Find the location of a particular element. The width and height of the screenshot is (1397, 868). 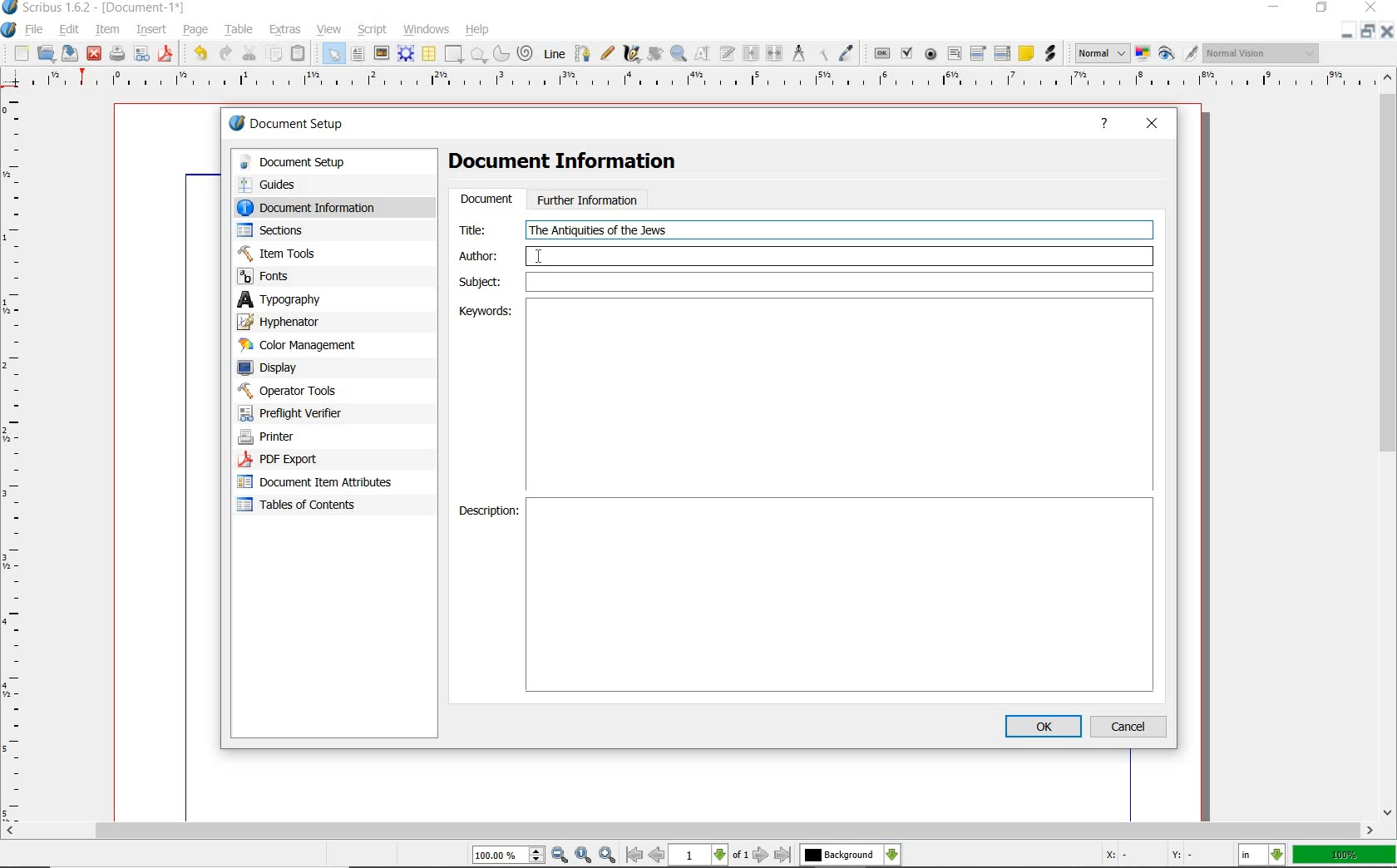

select image preview mode is located at coordinates (1102, 54).